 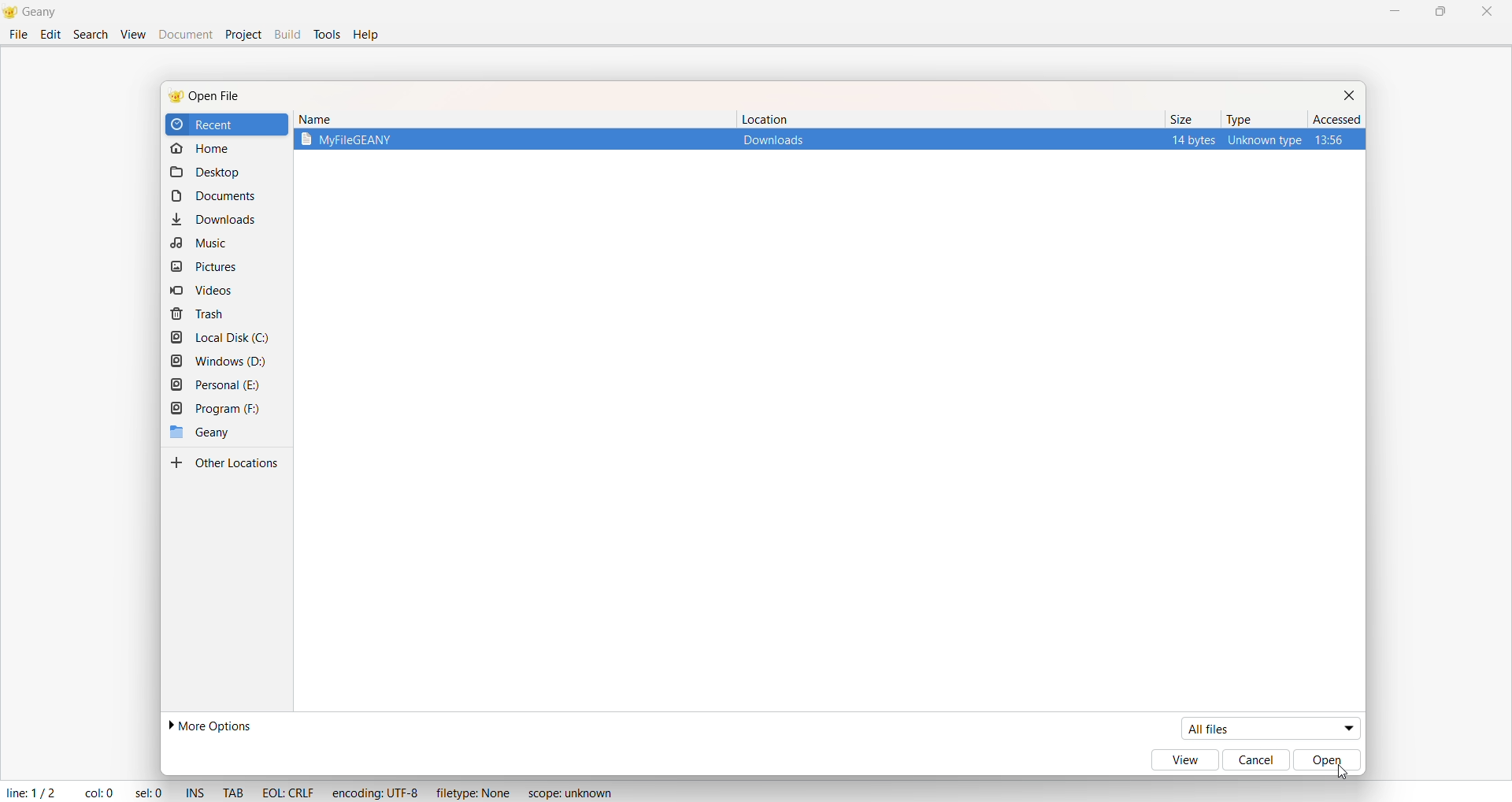 I want to click on View, so click(x=132, y=34).